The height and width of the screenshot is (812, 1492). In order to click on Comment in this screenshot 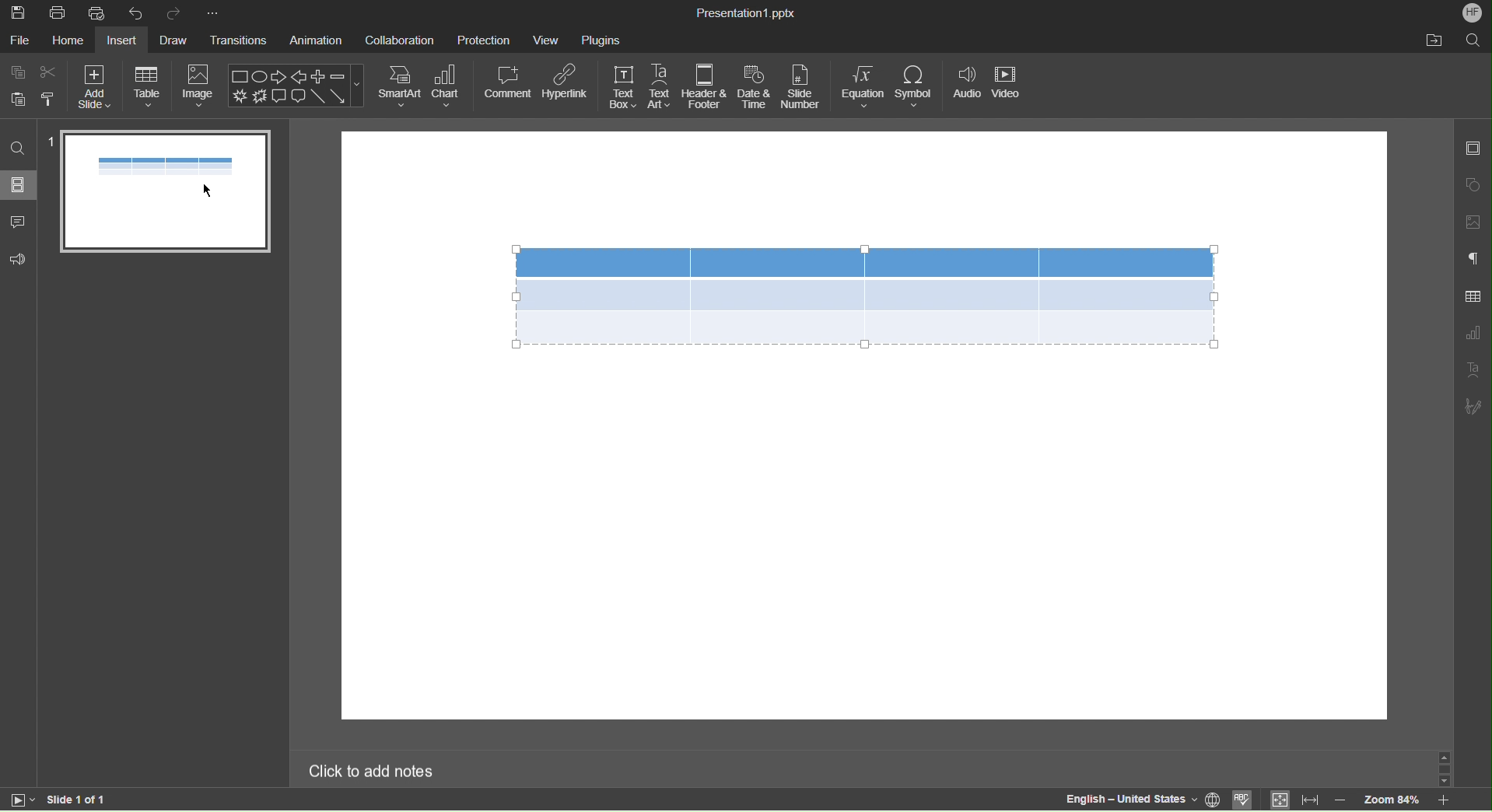, I will do `click(509, 83)`.